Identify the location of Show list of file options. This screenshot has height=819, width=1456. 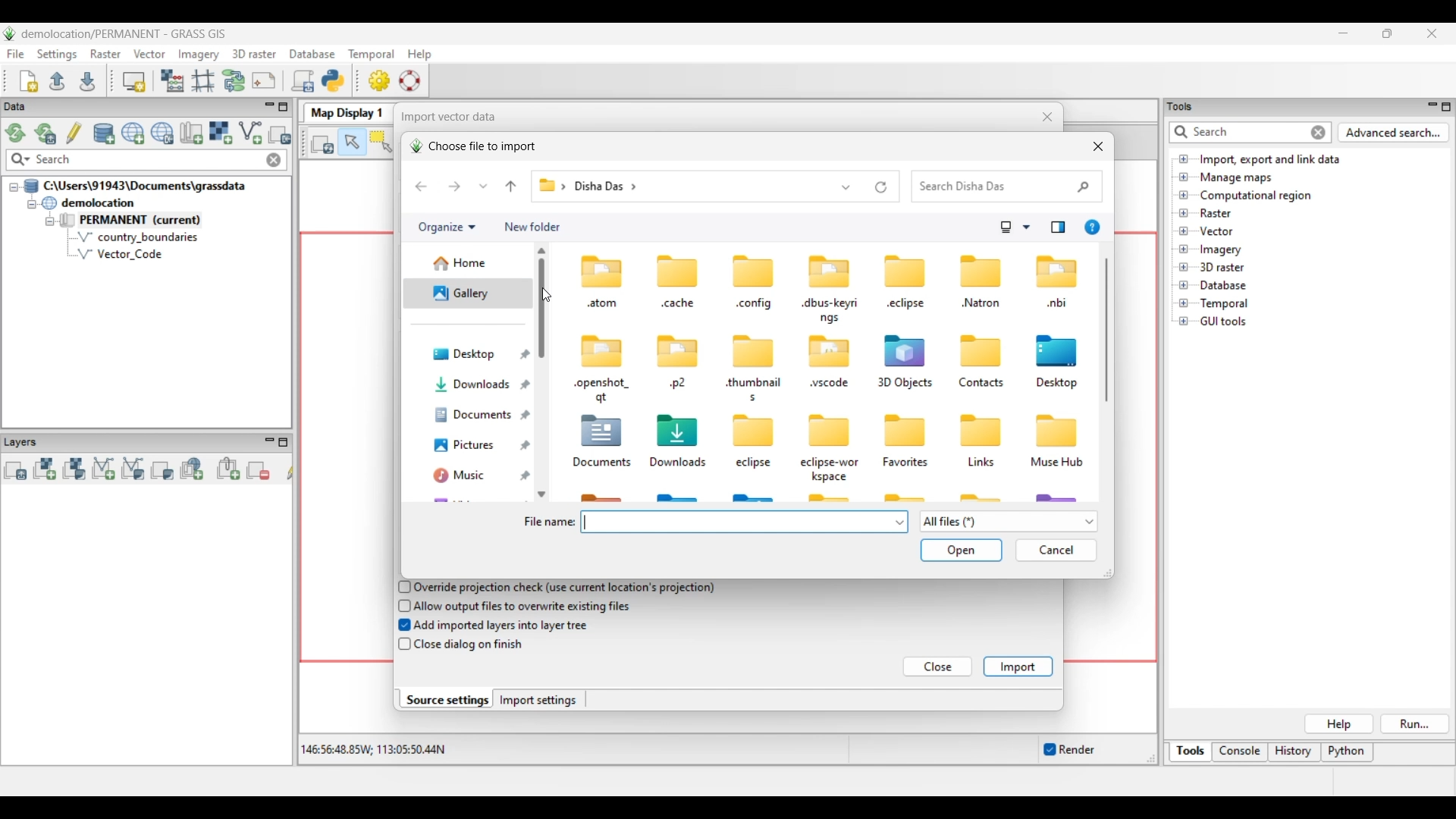
(1008, 522).